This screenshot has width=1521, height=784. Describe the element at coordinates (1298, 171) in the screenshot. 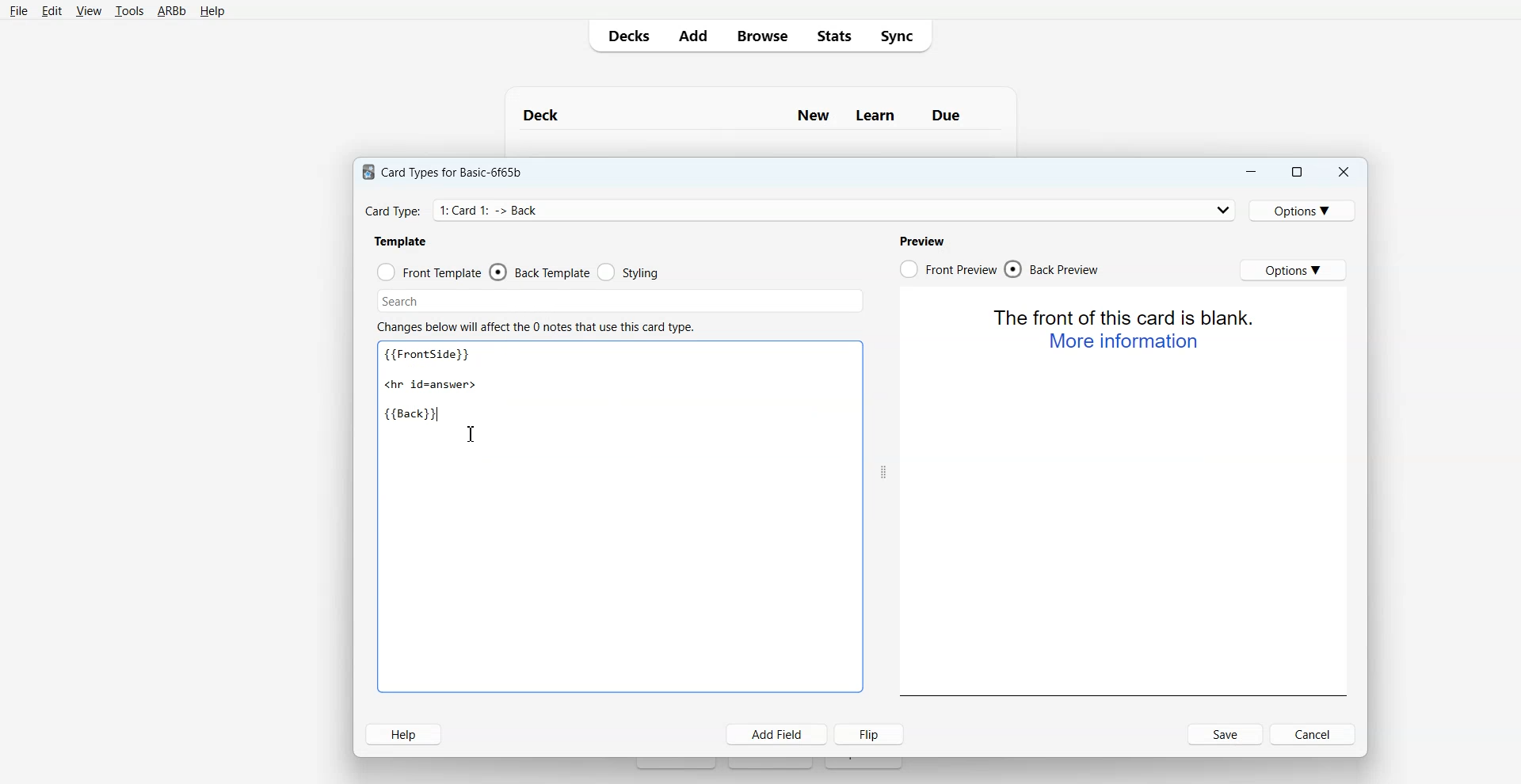

I see `Maximize` at that location.